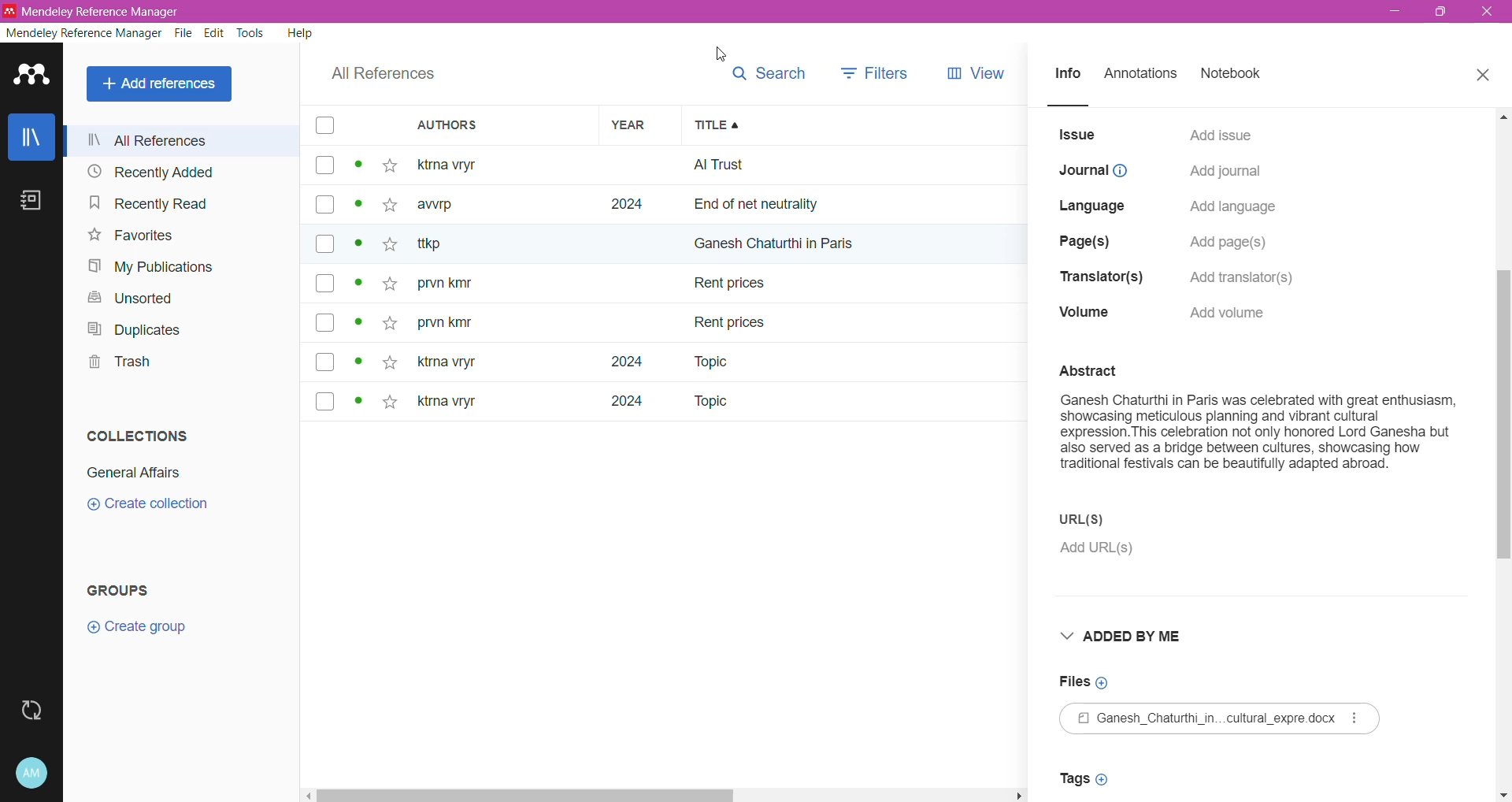 This screenshot has width=1512, height=802. I want to click on Last Sync, so click(34, 708).